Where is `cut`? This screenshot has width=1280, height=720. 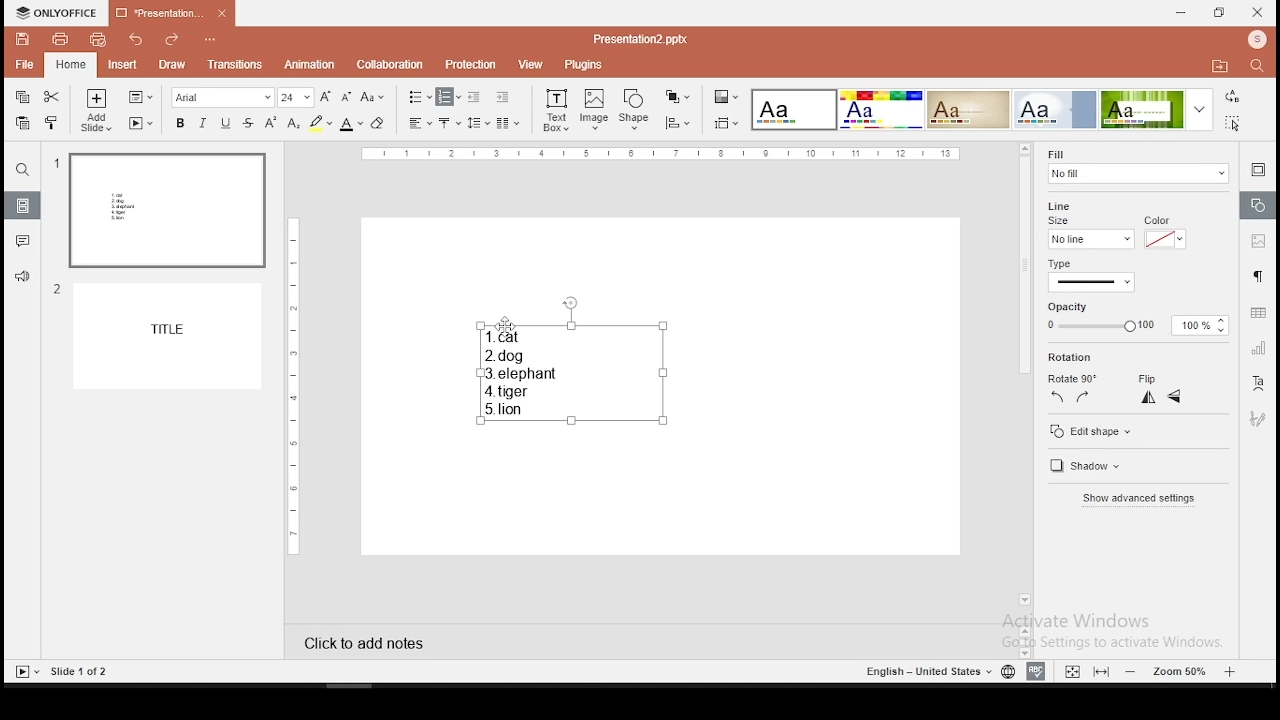 cut is located at coordinates (54, 95).